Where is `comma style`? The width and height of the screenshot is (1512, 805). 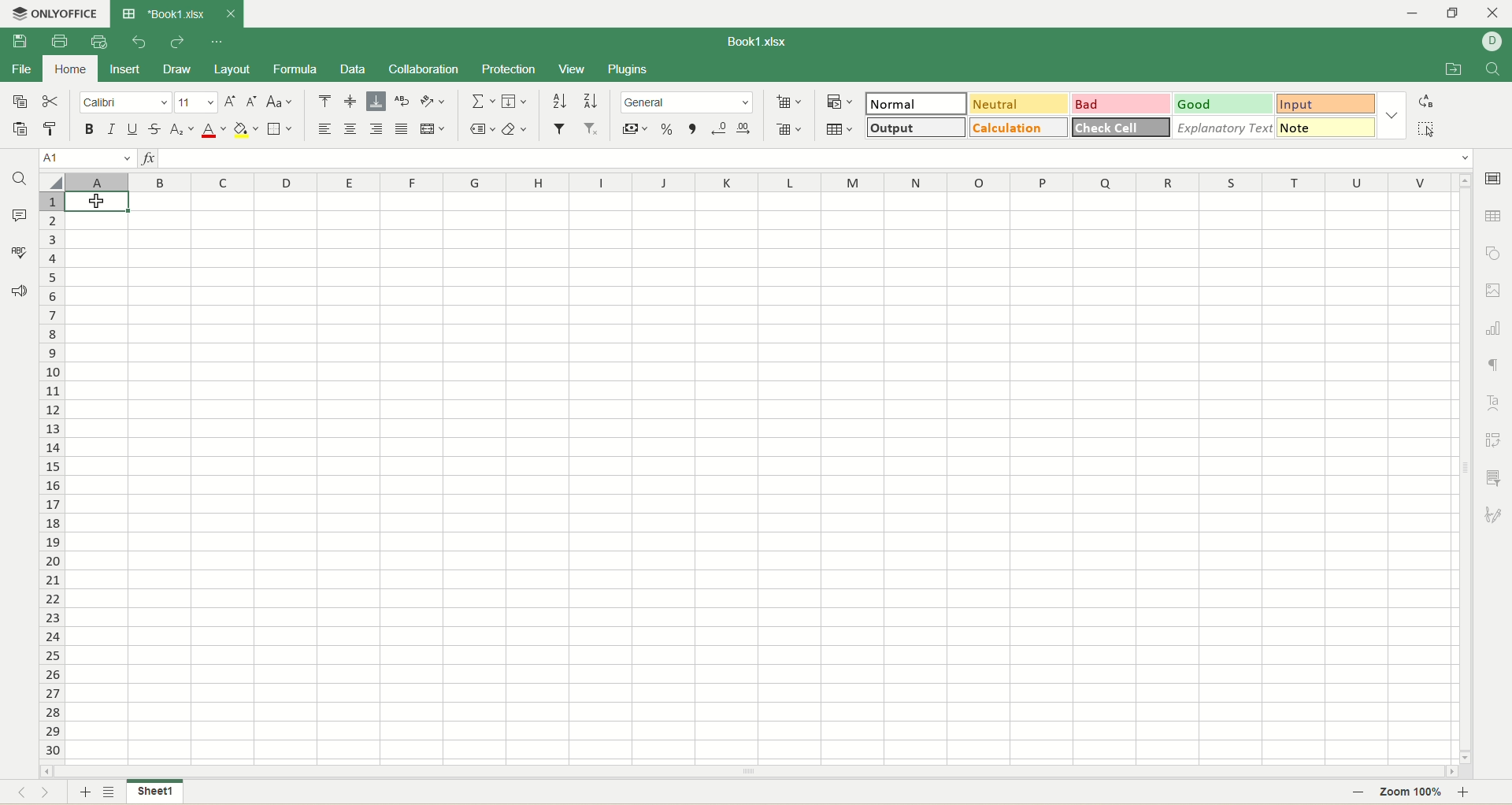
comma style is located at coordinates (692, 128).